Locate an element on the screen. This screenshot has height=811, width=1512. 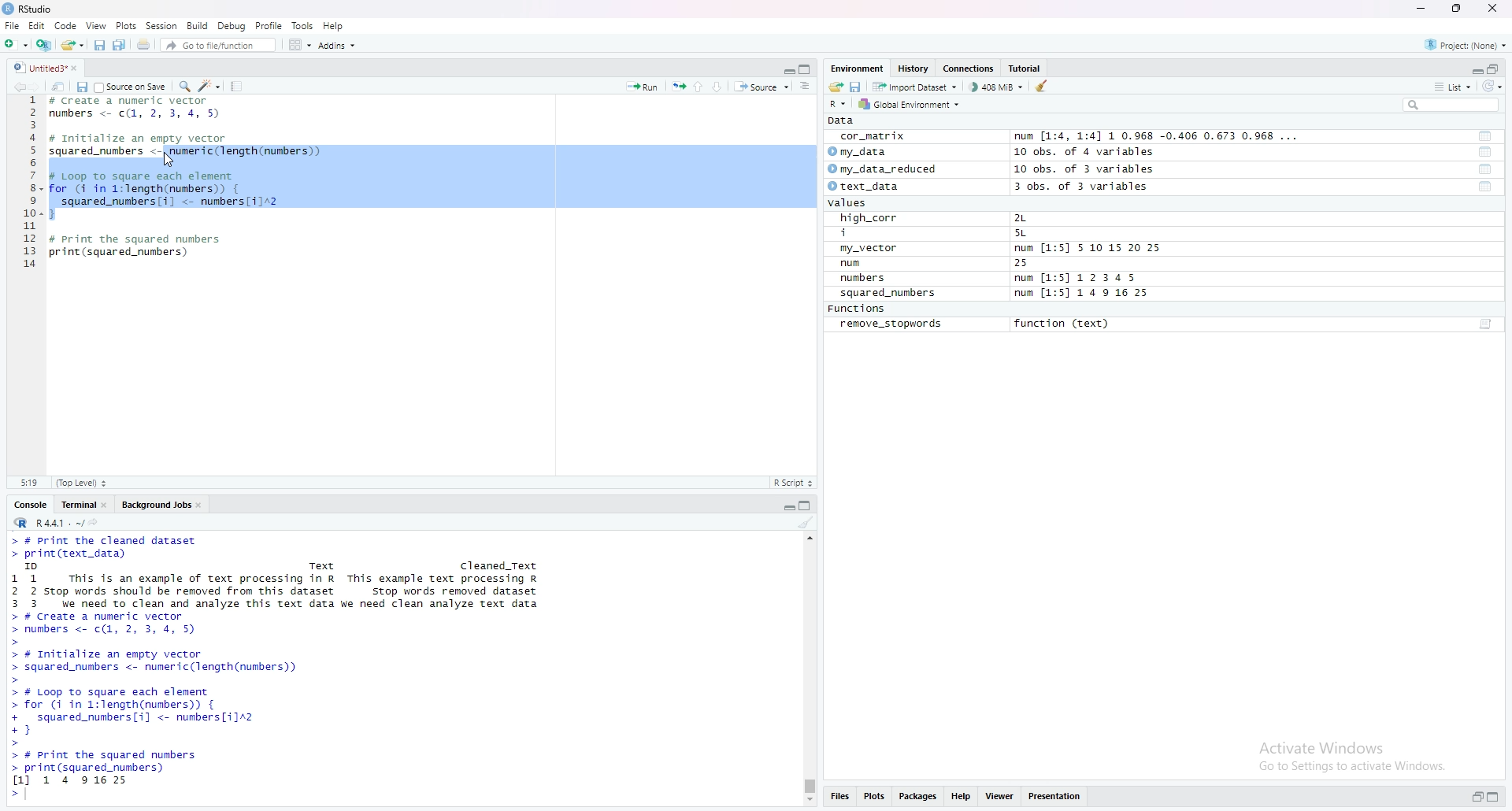
minimize is located at coordinates (787, 68).